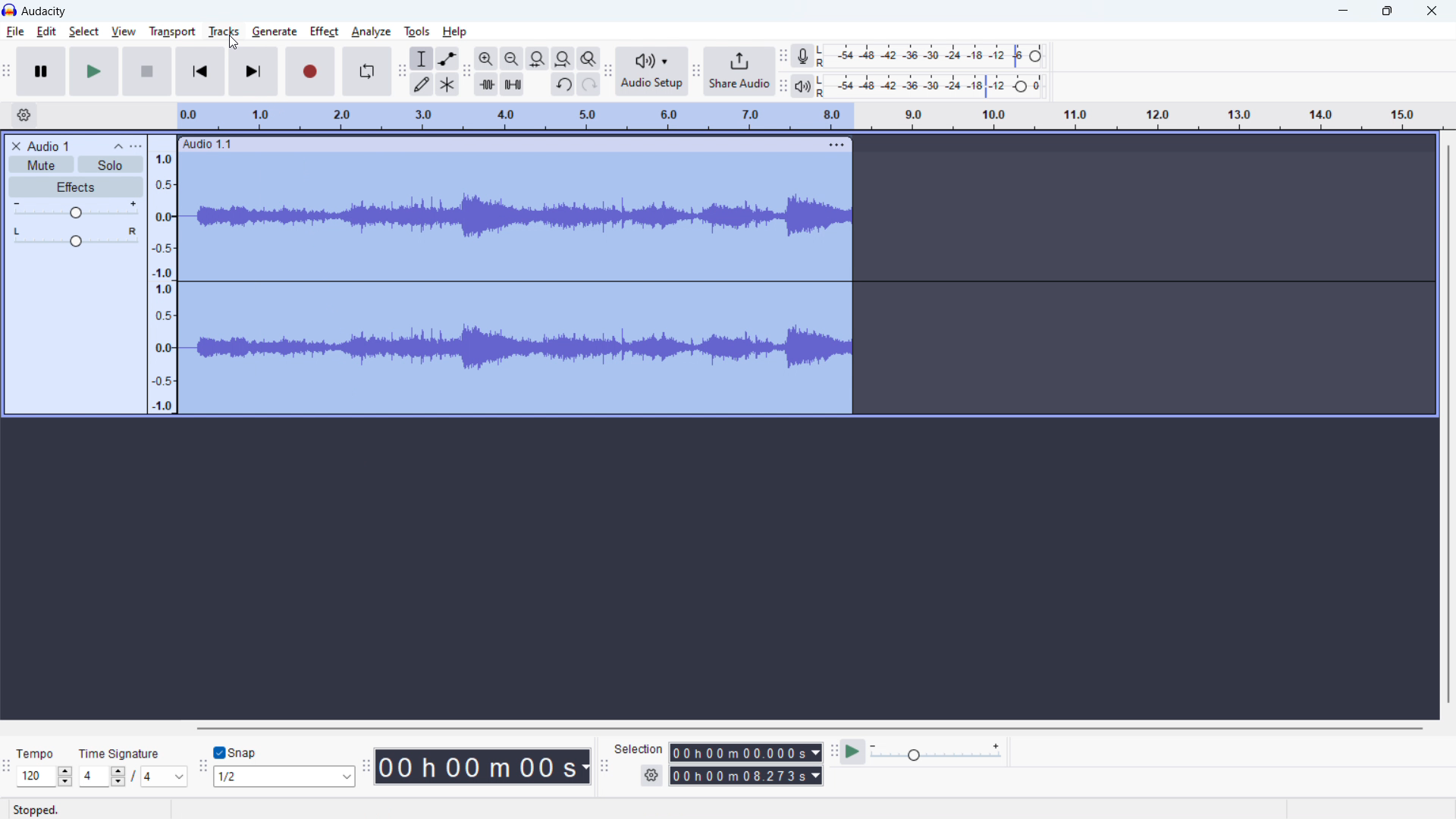 This screenshot has width=1456, height=819. Describe the element at coordinates (783, 84) in the screenshot. I see `playback meter toolbar` at that location.